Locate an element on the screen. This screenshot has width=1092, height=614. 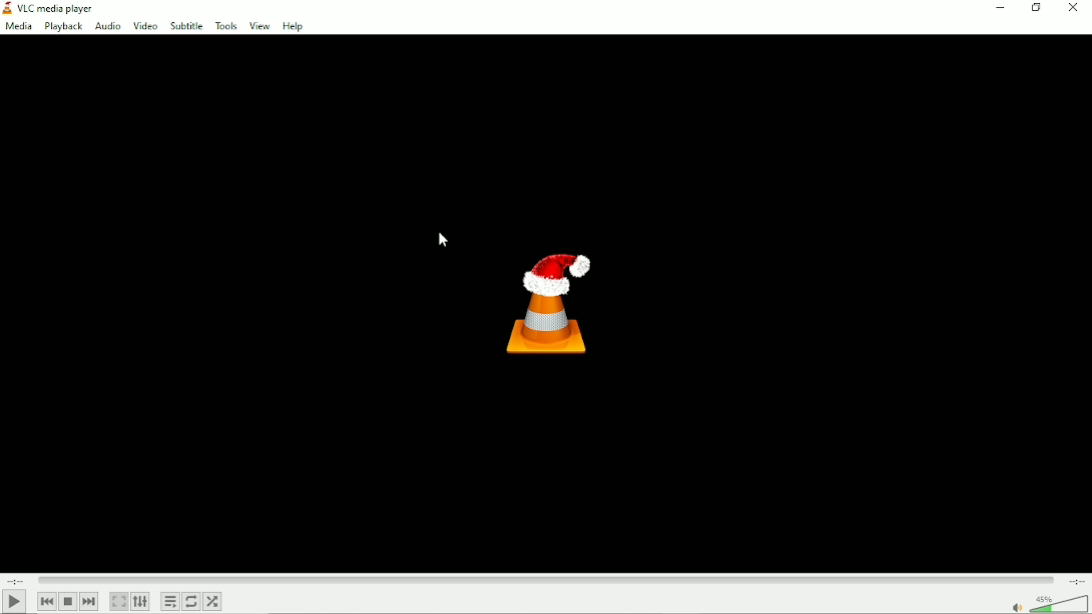
Toggle playlist is located at coordinates (169, 602).